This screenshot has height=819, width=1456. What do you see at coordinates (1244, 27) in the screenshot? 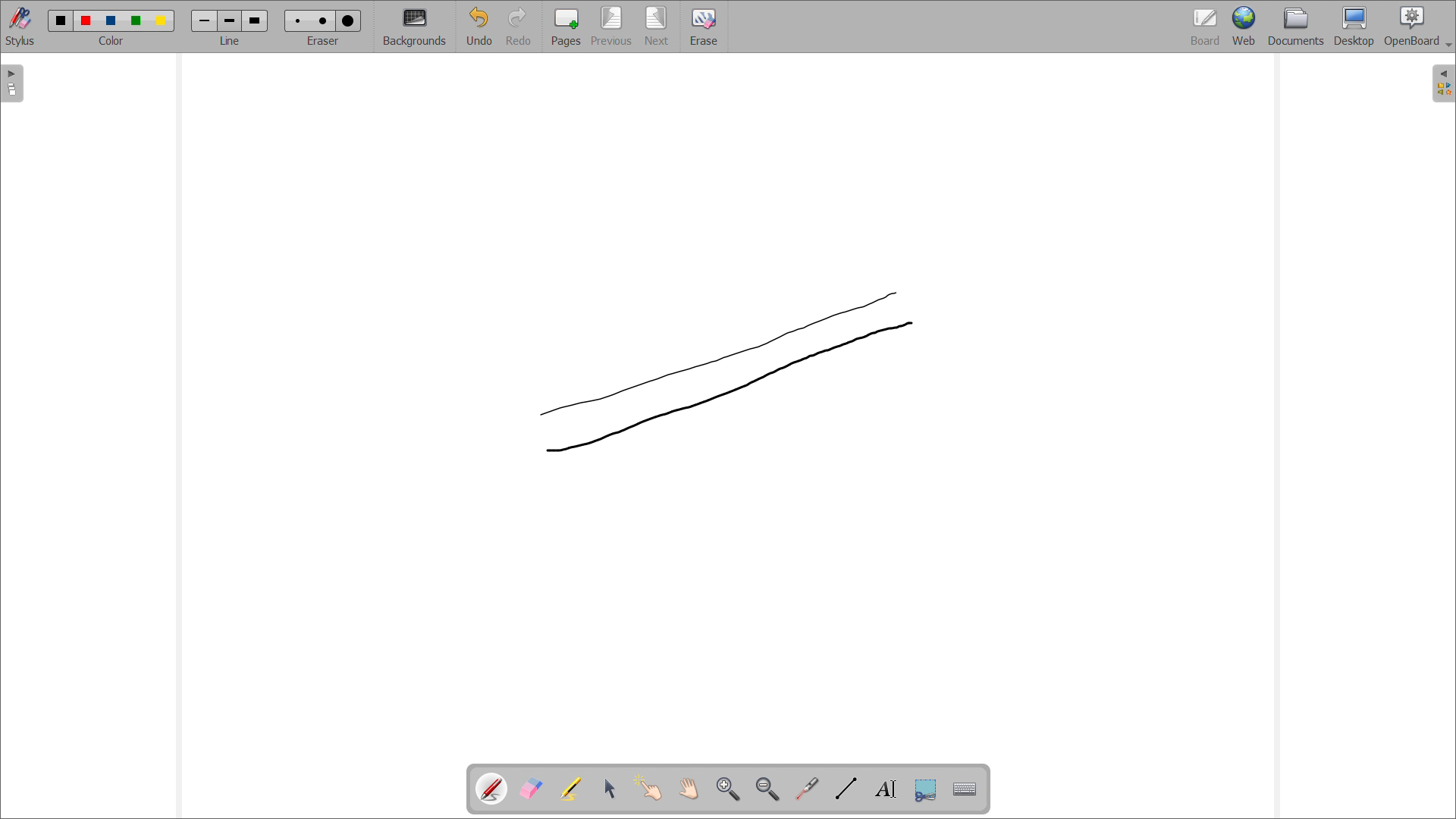
I see `web` at bounding box center [1244, 27].